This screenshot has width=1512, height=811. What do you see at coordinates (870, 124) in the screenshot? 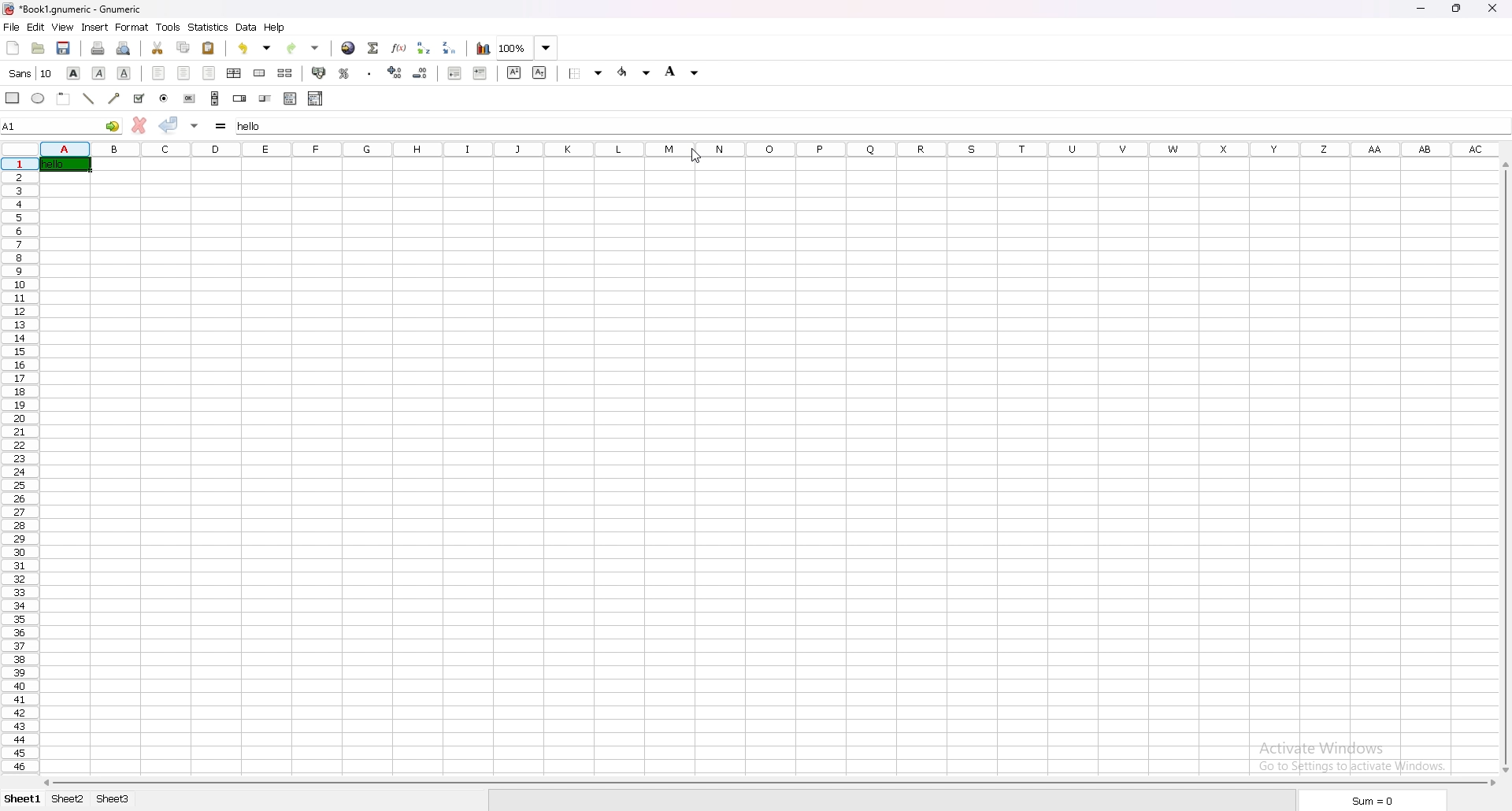
I see `cell input` at bounding box center [870, 124].